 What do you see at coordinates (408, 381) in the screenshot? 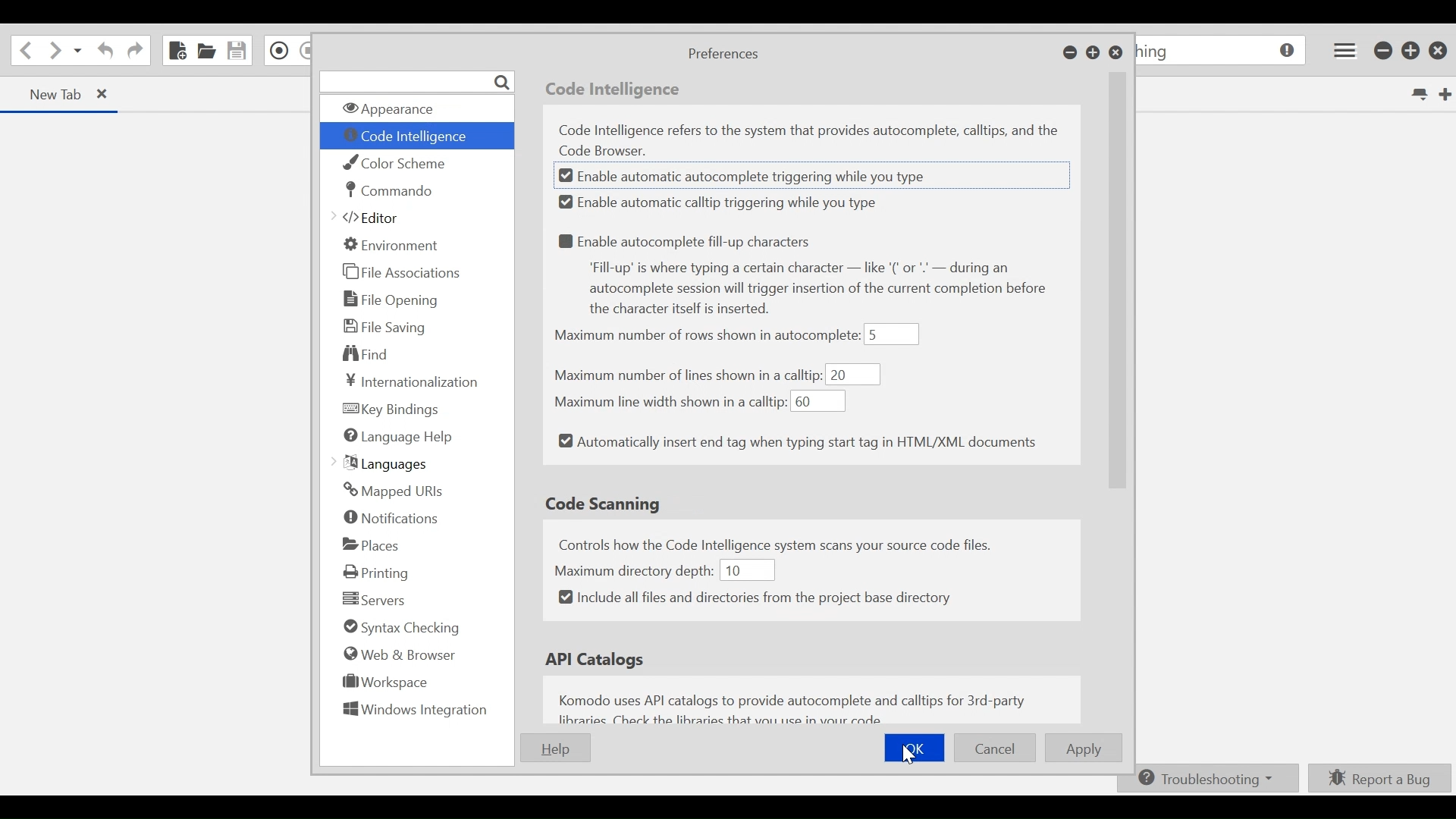
I see `Internationalization` at bounding box center [408, 381].